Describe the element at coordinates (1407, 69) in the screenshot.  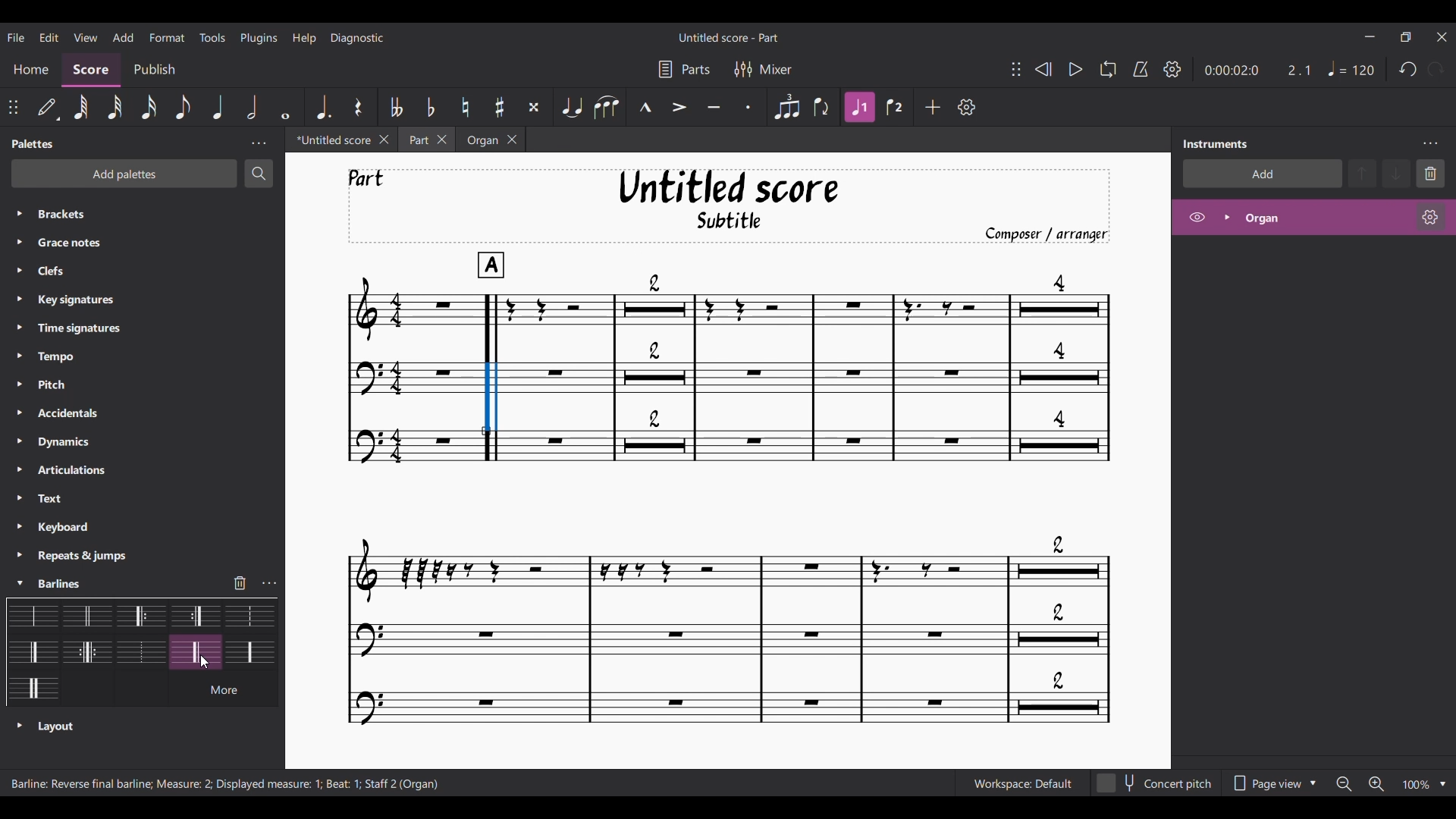
I see `Undo` at that location.